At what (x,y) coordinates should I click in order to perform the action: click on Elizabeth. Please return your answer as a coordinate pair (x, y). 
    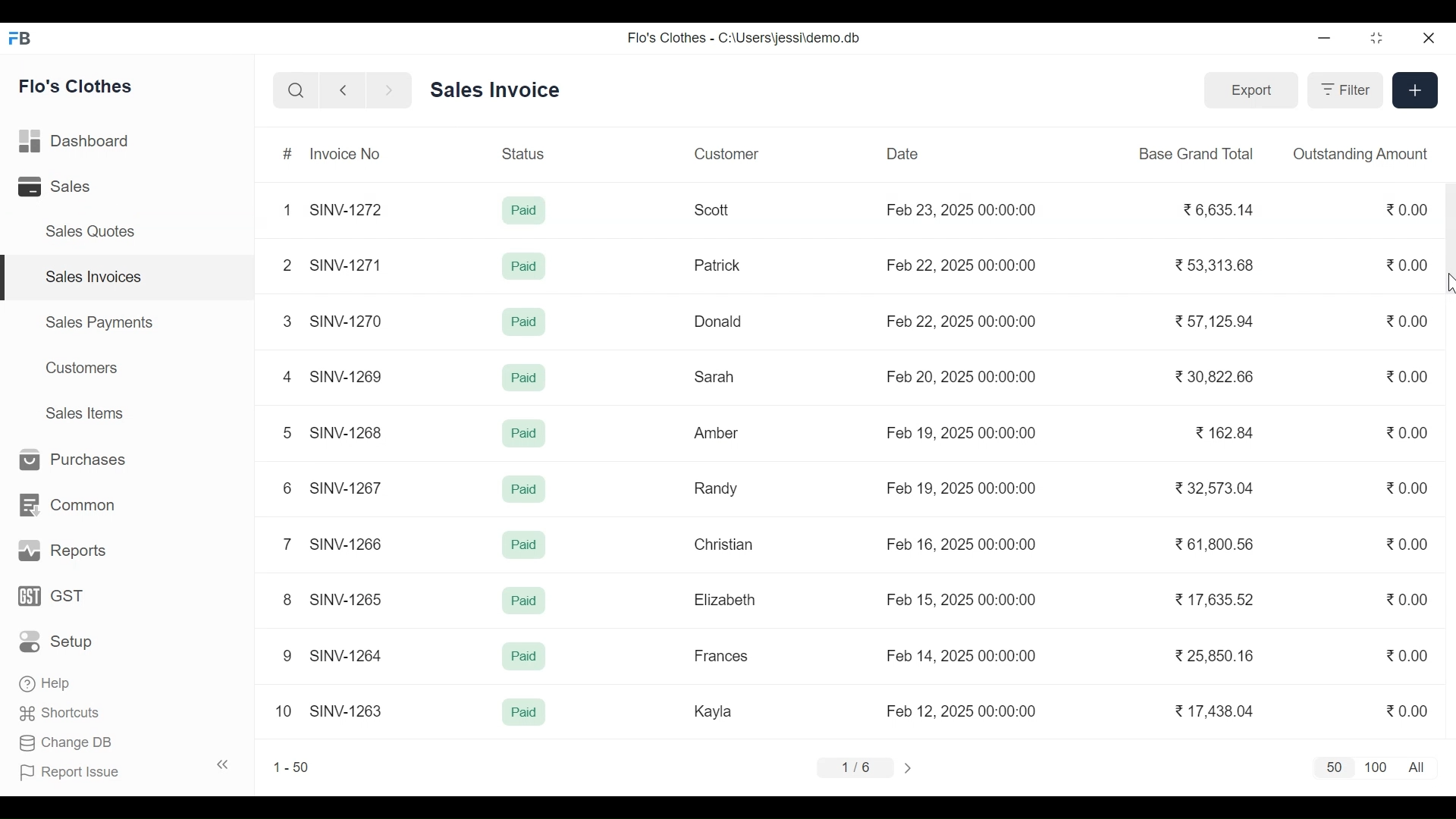
    Looking at the image, I should click on (724, 600).